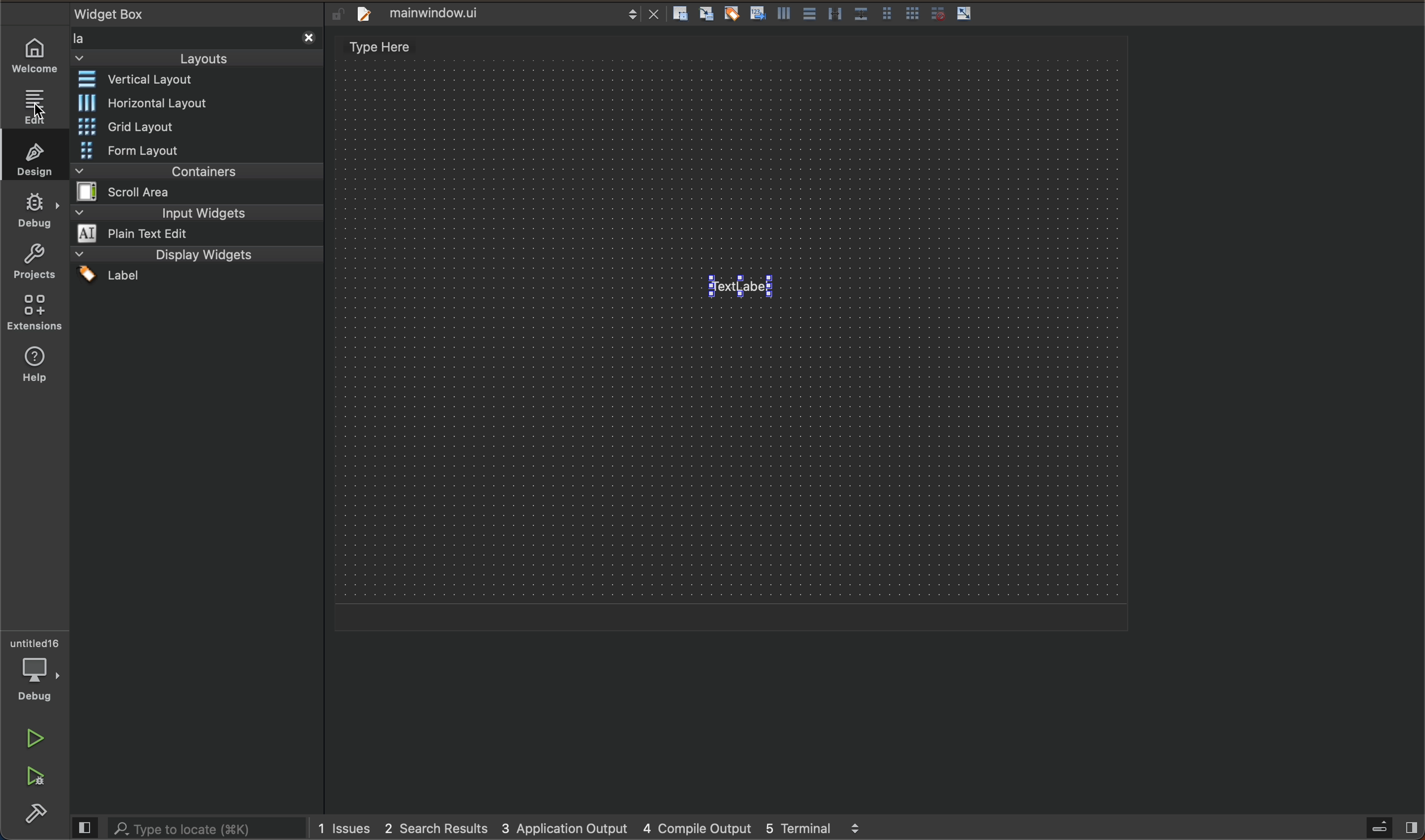  What do you see at coordinates (681, 11) in the screenshot?
I see `Edit widgets` at bounding box center [681, 11].